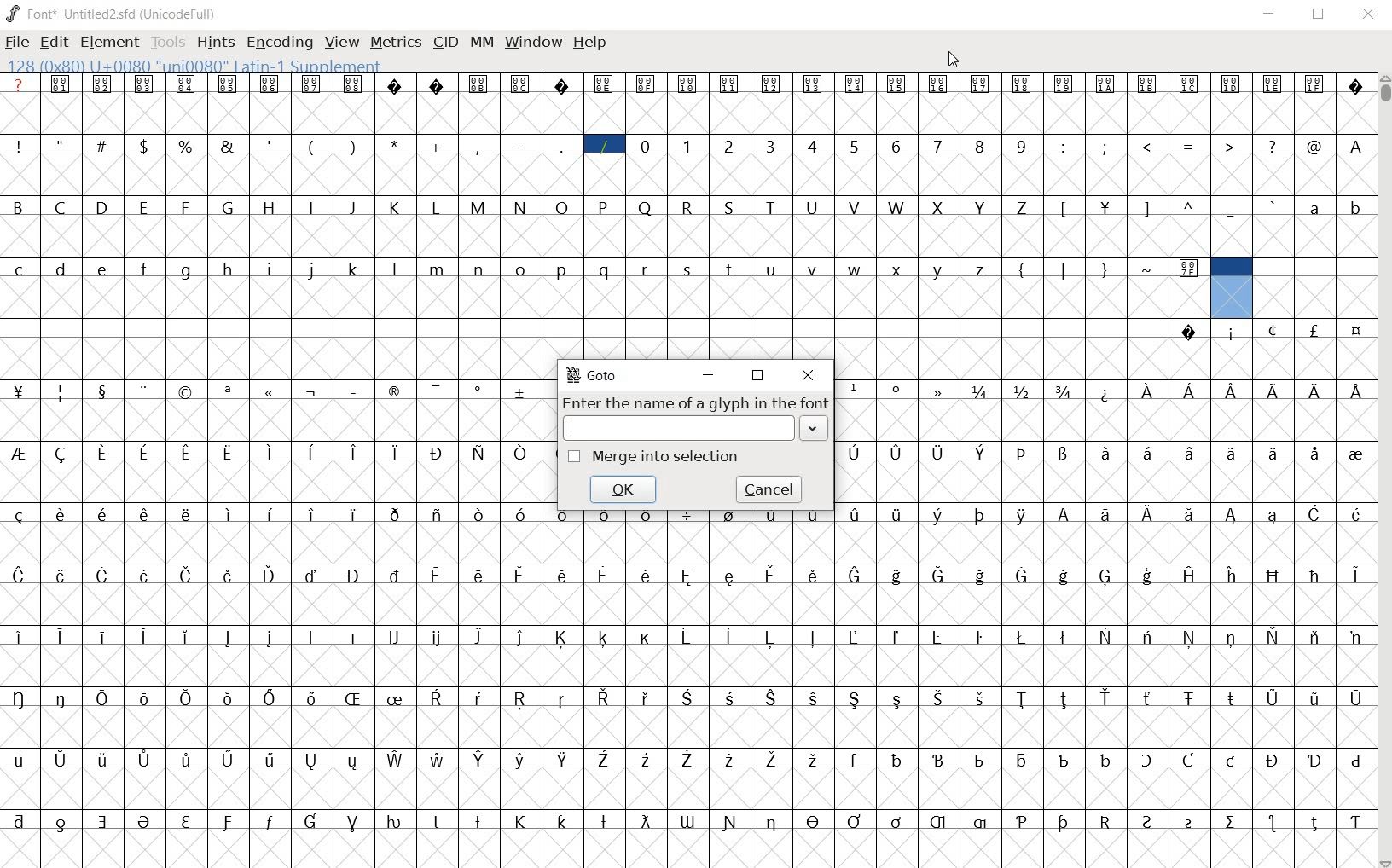  What do you see at coordinates (1230, 451) in the screenshot?
I see `Symbol` at bounding box center [1230, 451].